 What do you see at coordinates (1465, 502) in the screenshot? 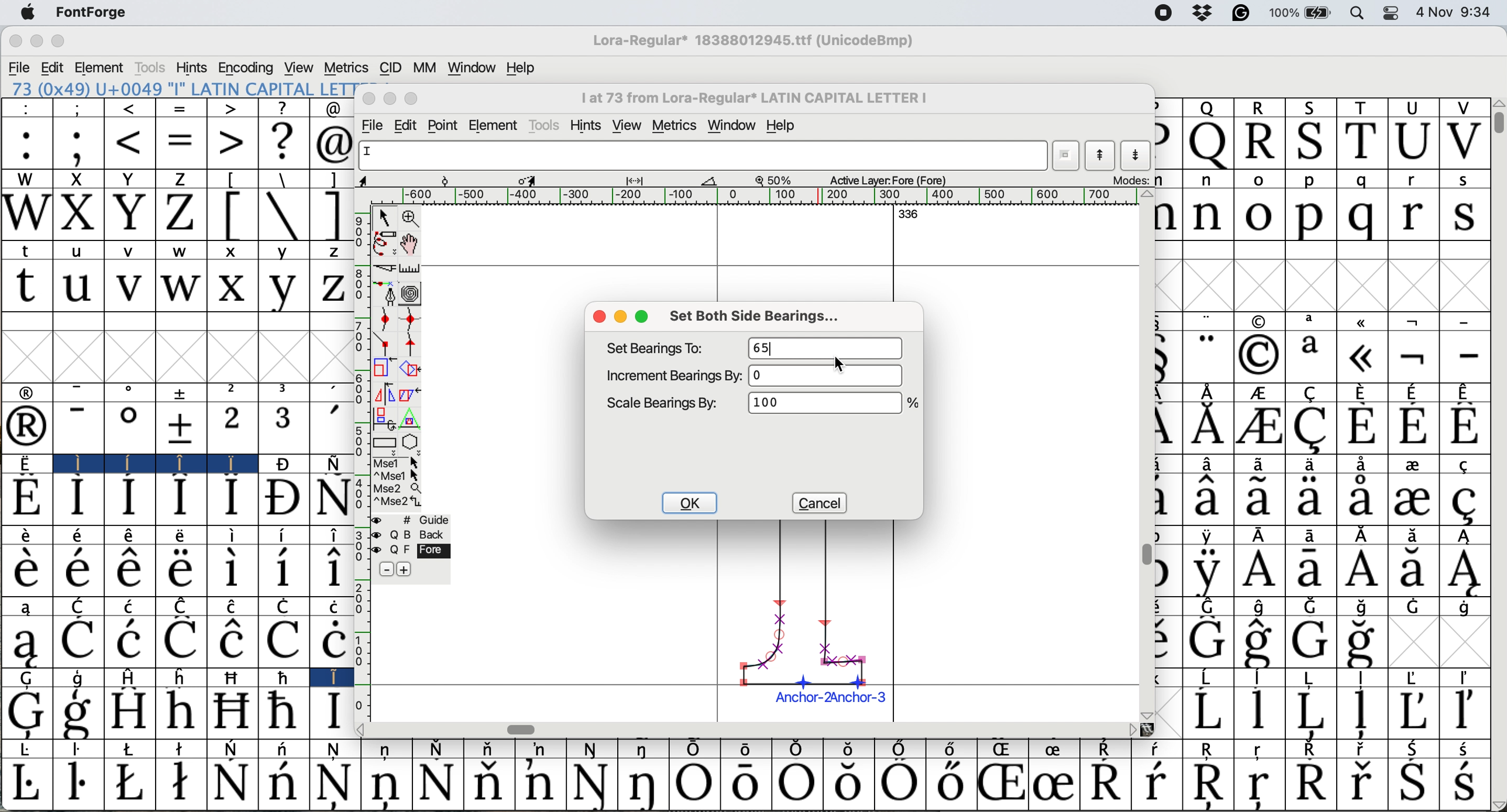
I see `Symbol` at bounding box center [1465, 502].